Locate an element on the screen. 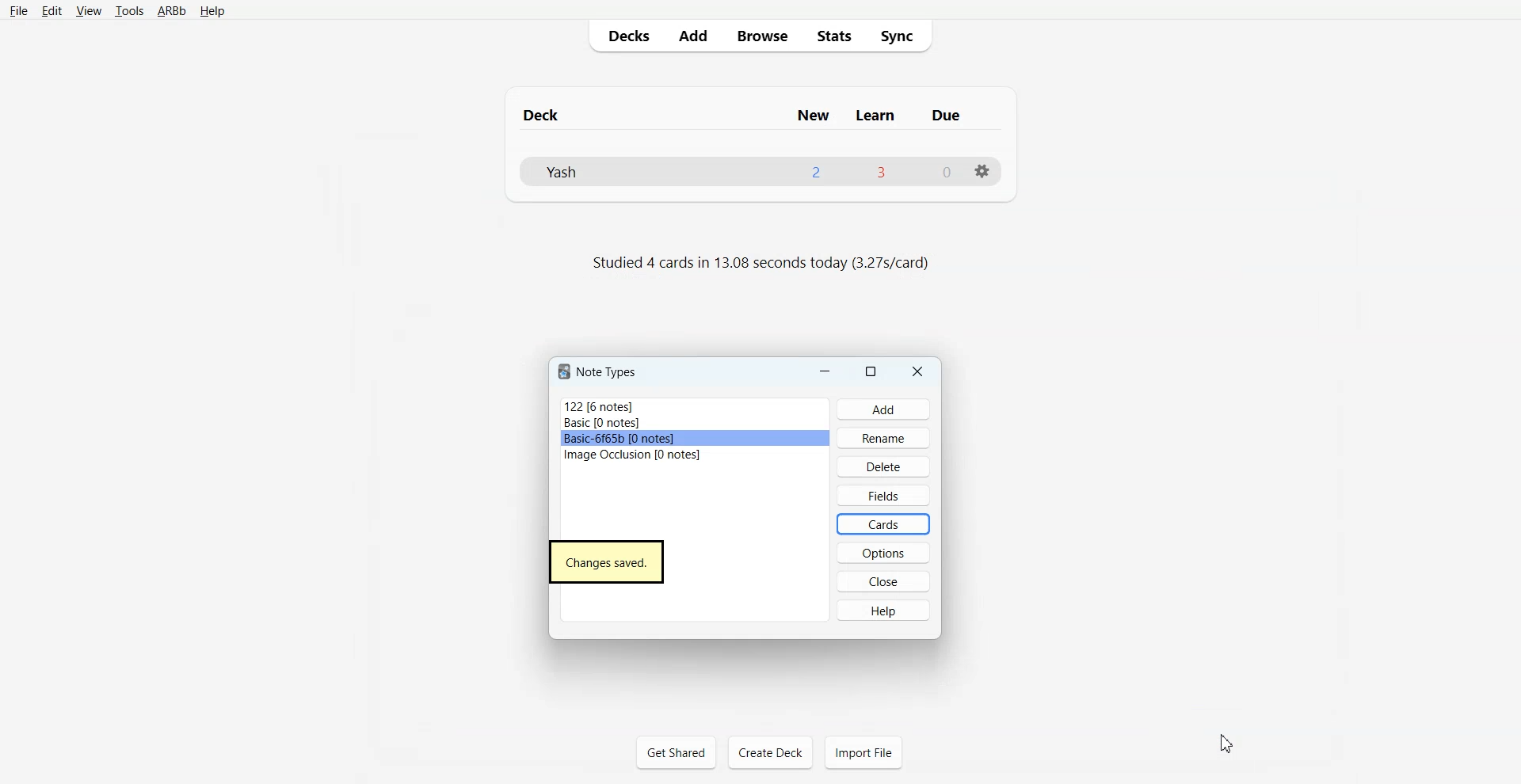 The height and width of the screenshot is (784, 1521). Deck File is located at coordinates (761, 172).